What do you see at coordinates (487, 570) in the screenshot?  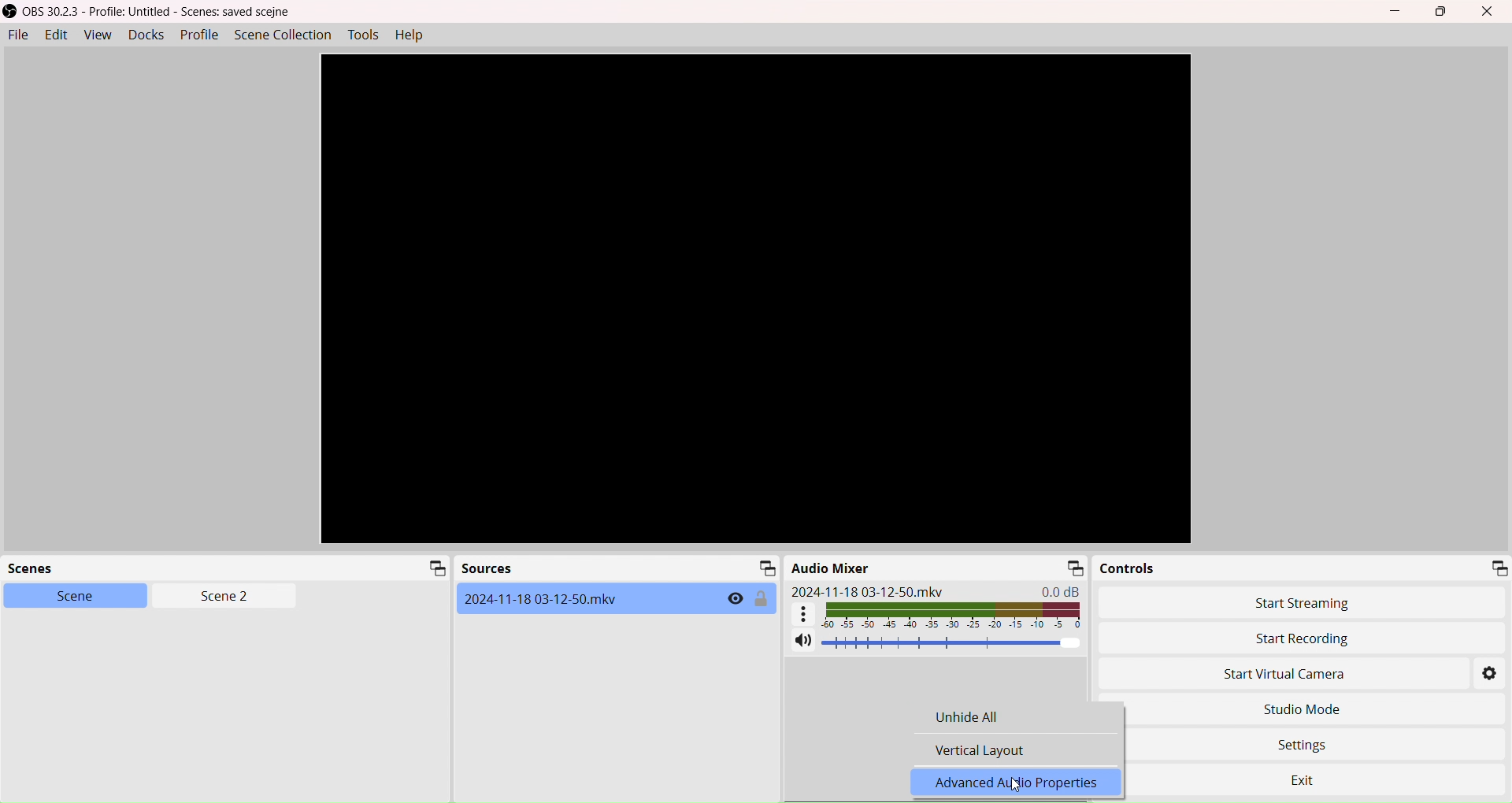 I see `Sources` at bounding box center [487, 570].